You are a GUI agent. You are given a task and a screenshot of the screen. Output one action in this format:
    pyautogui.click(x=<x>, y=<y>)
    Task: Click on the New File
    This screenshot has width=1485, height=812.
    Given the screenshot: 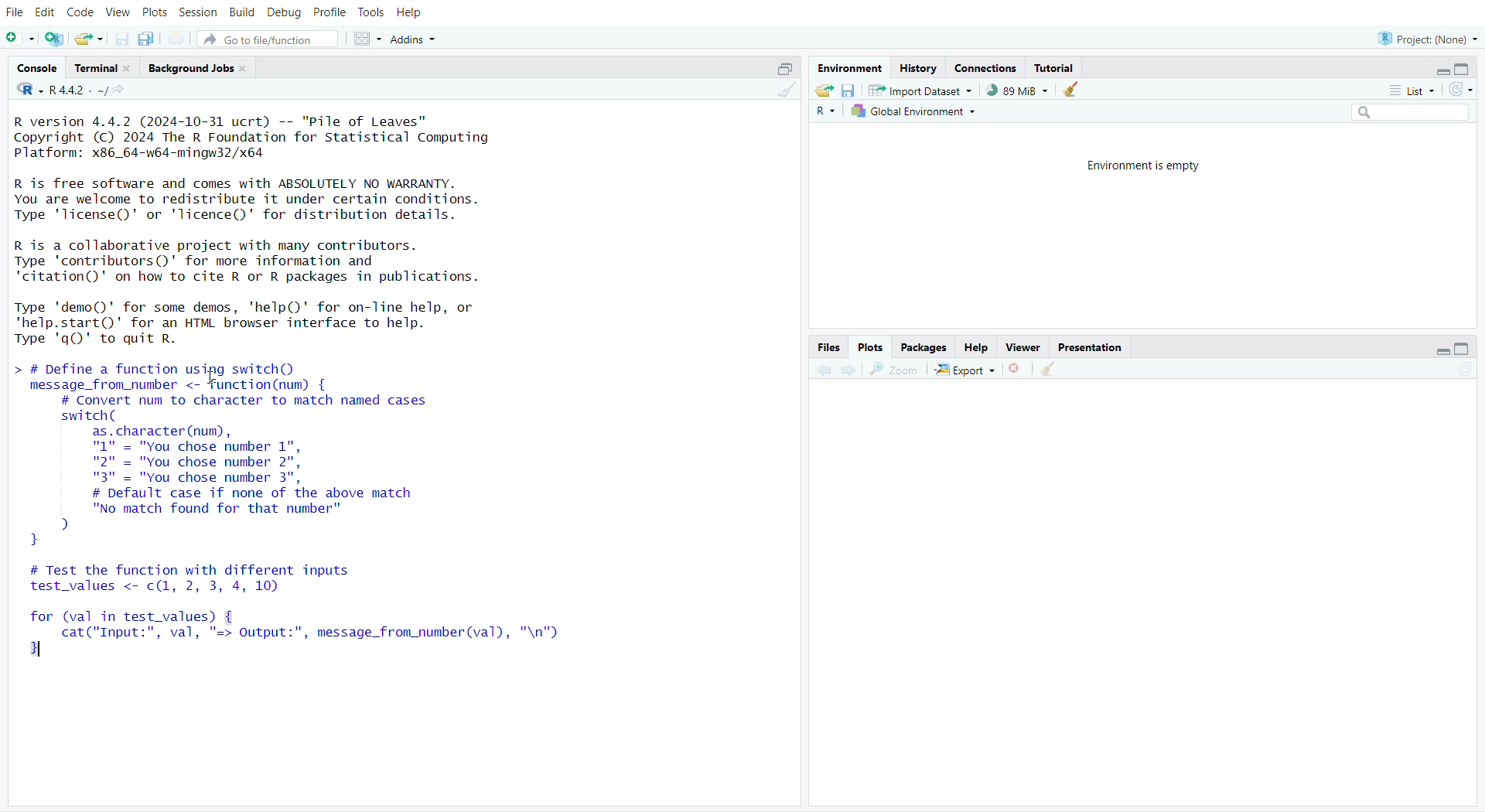 What is the action you would take?
    pyautogui.click(x=21, y=39)
    